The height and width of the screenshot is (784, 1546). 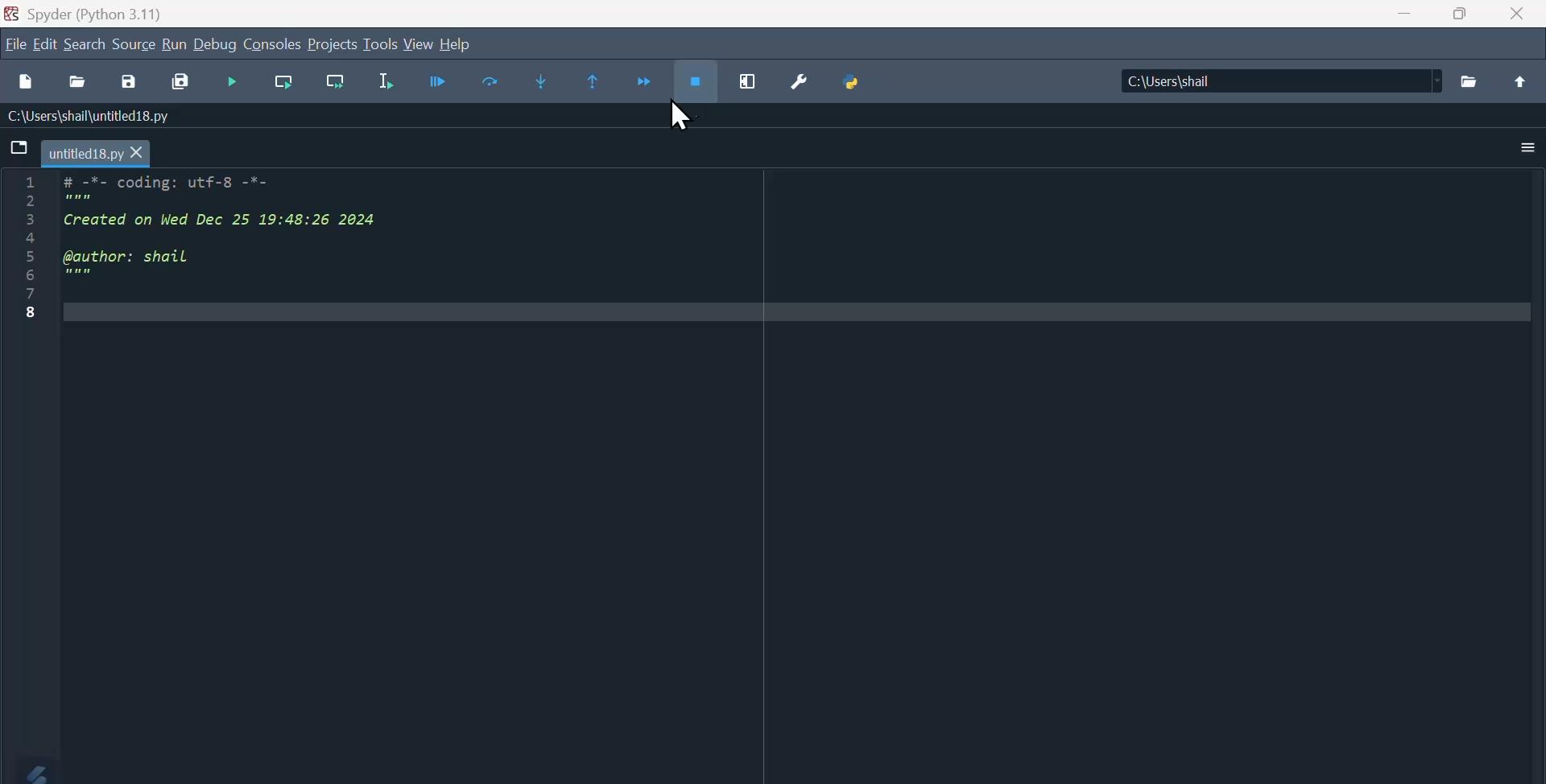 What do you see at coordinates (236, 81) in the screenshot?
I see `Run file` at bounding box center [236, 81].